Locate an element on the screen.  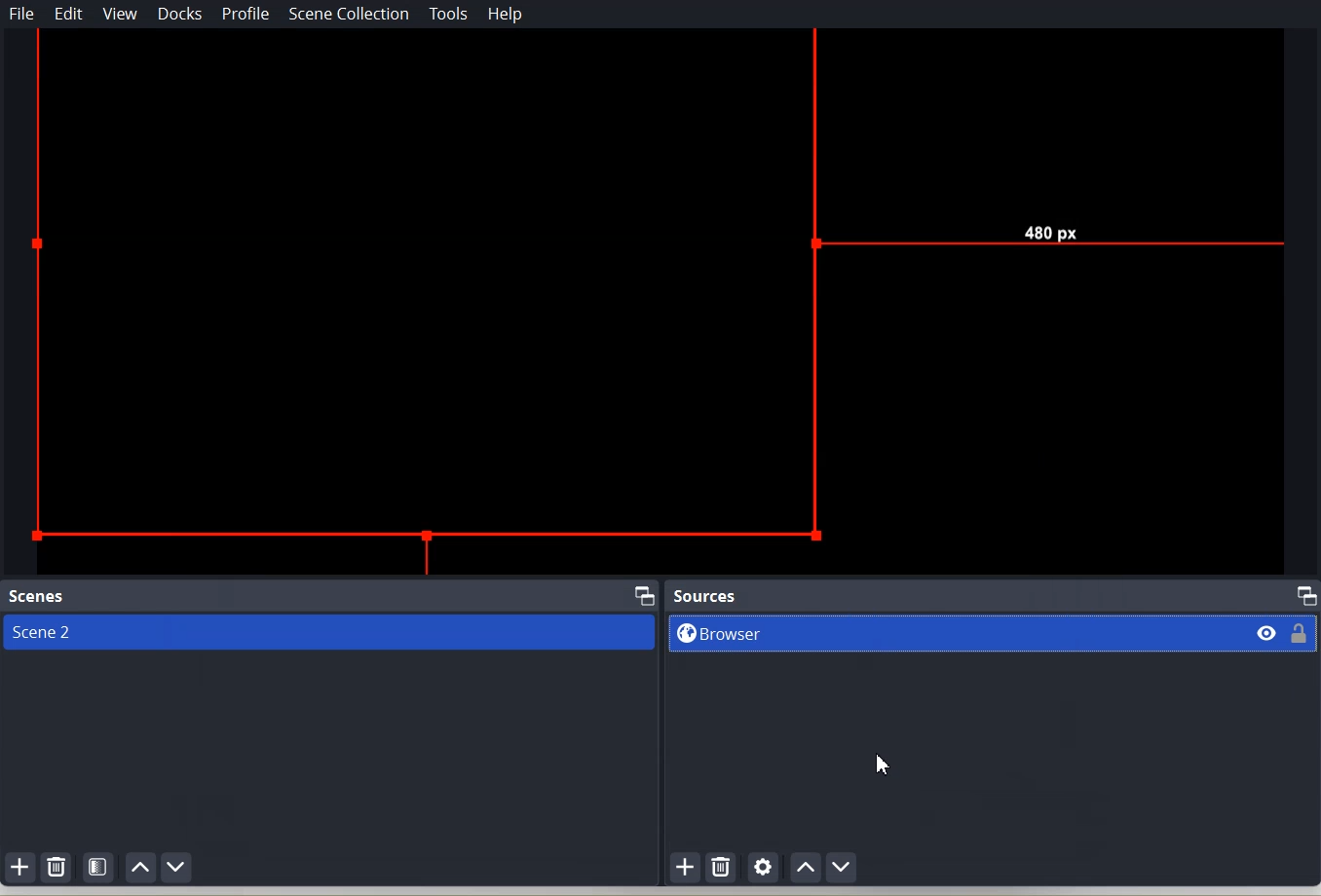
visibility eye icon is located at coordinates (1261, 632).